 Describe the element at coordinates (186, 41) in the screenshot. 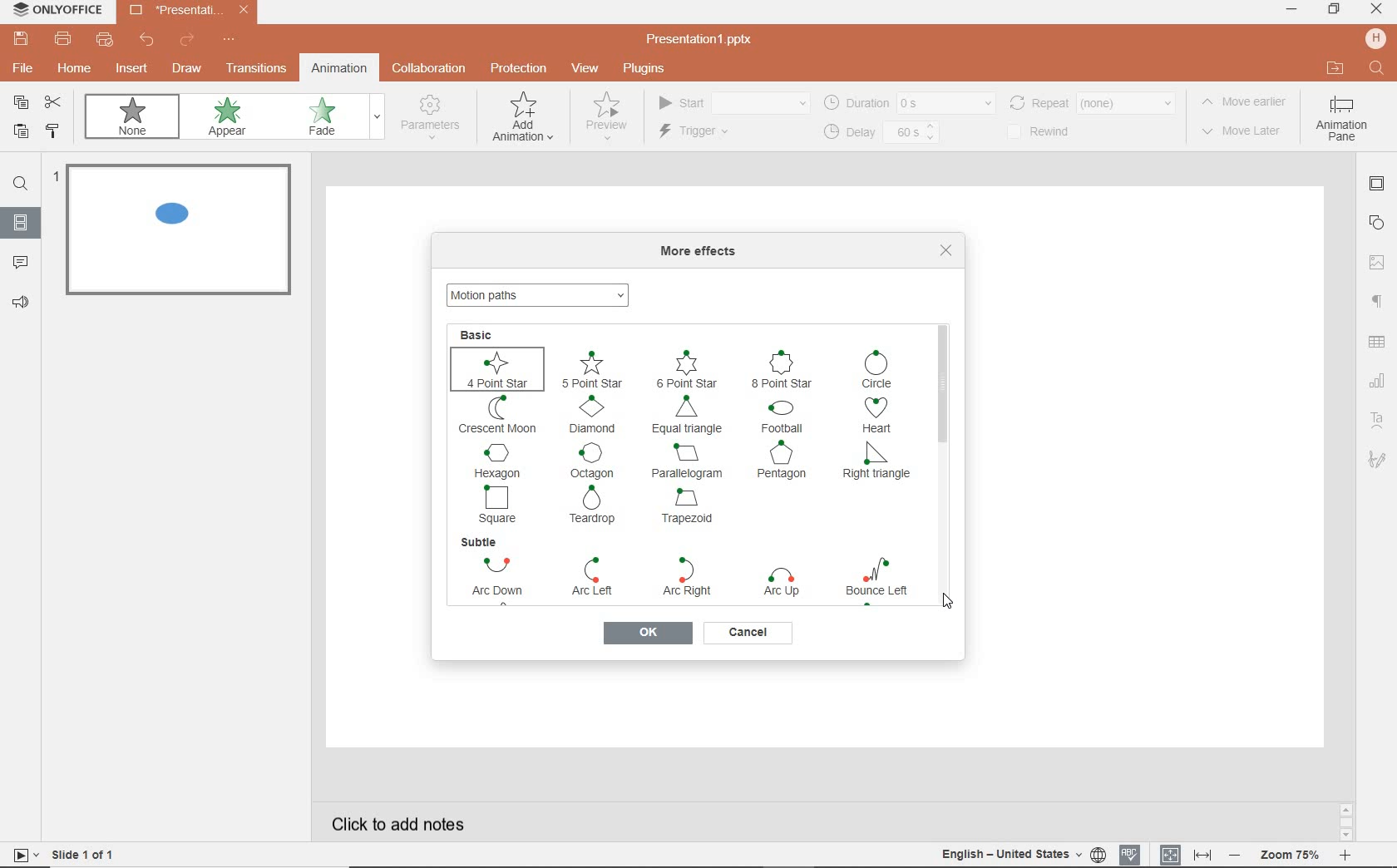

I see `redo` at that location.